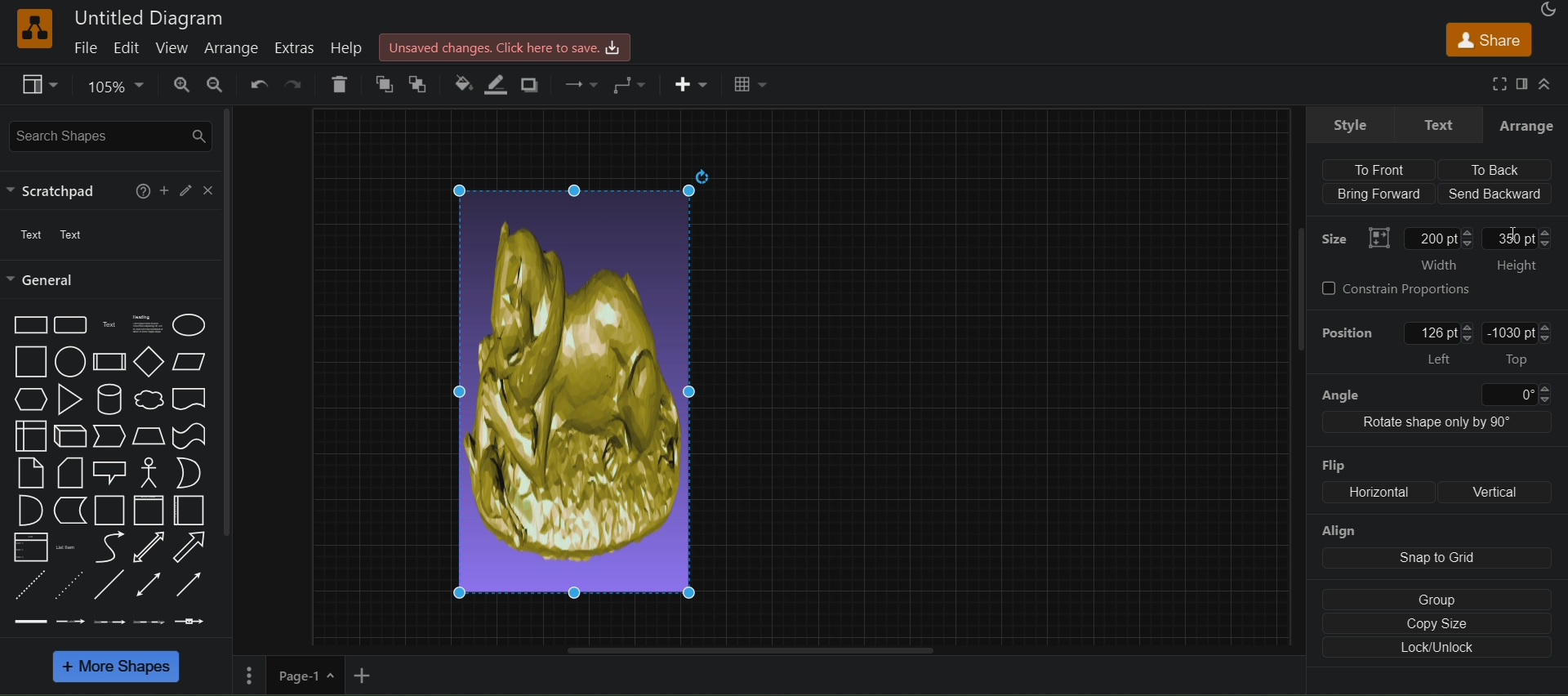 The width and height of the screenshot is (1568, 696). What do you see at coordinates (1333, 239) in the screenshot?
I see `Size` at bounding box center [1333, 239].